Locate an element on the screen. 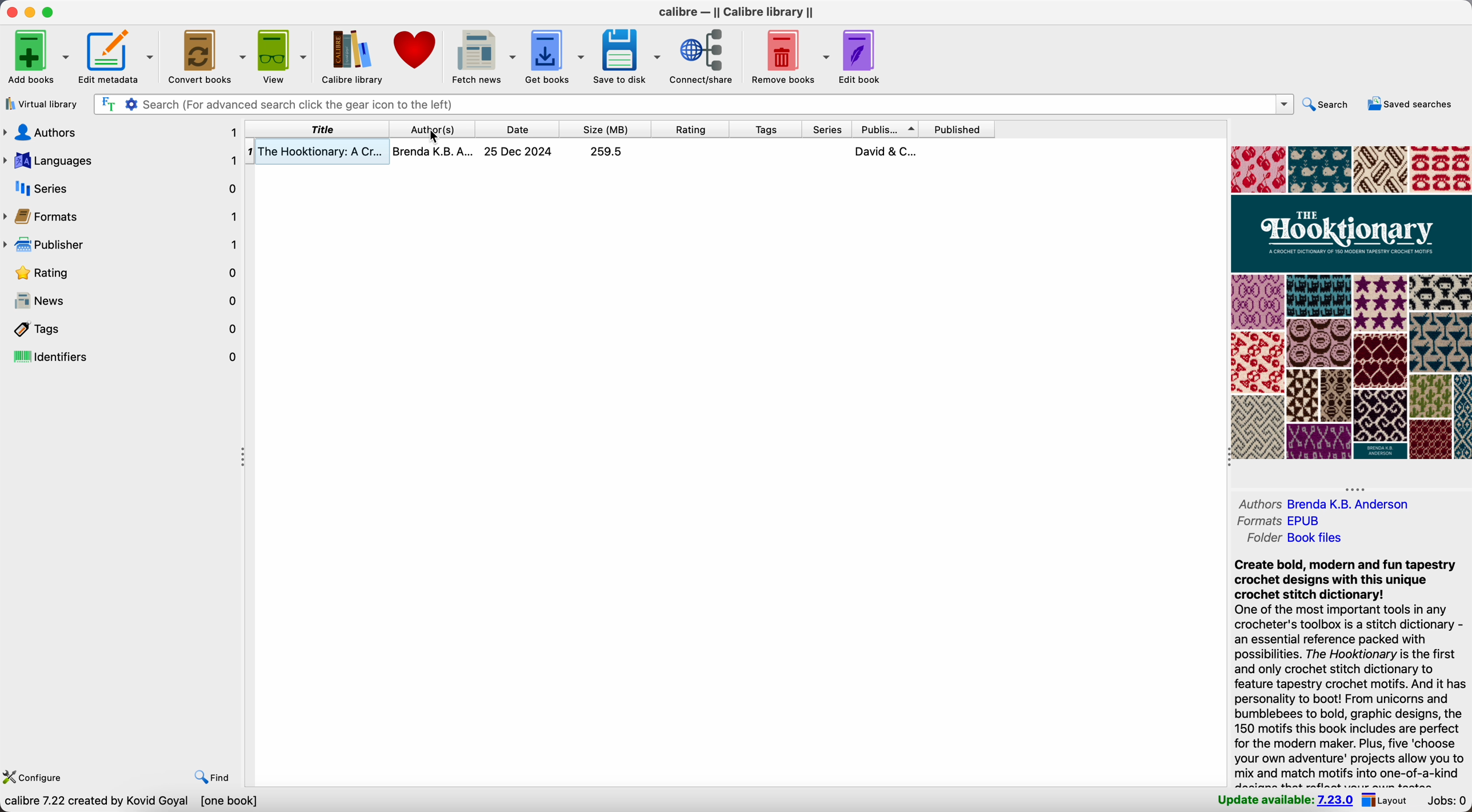  date is located at coordinates (516, 129).